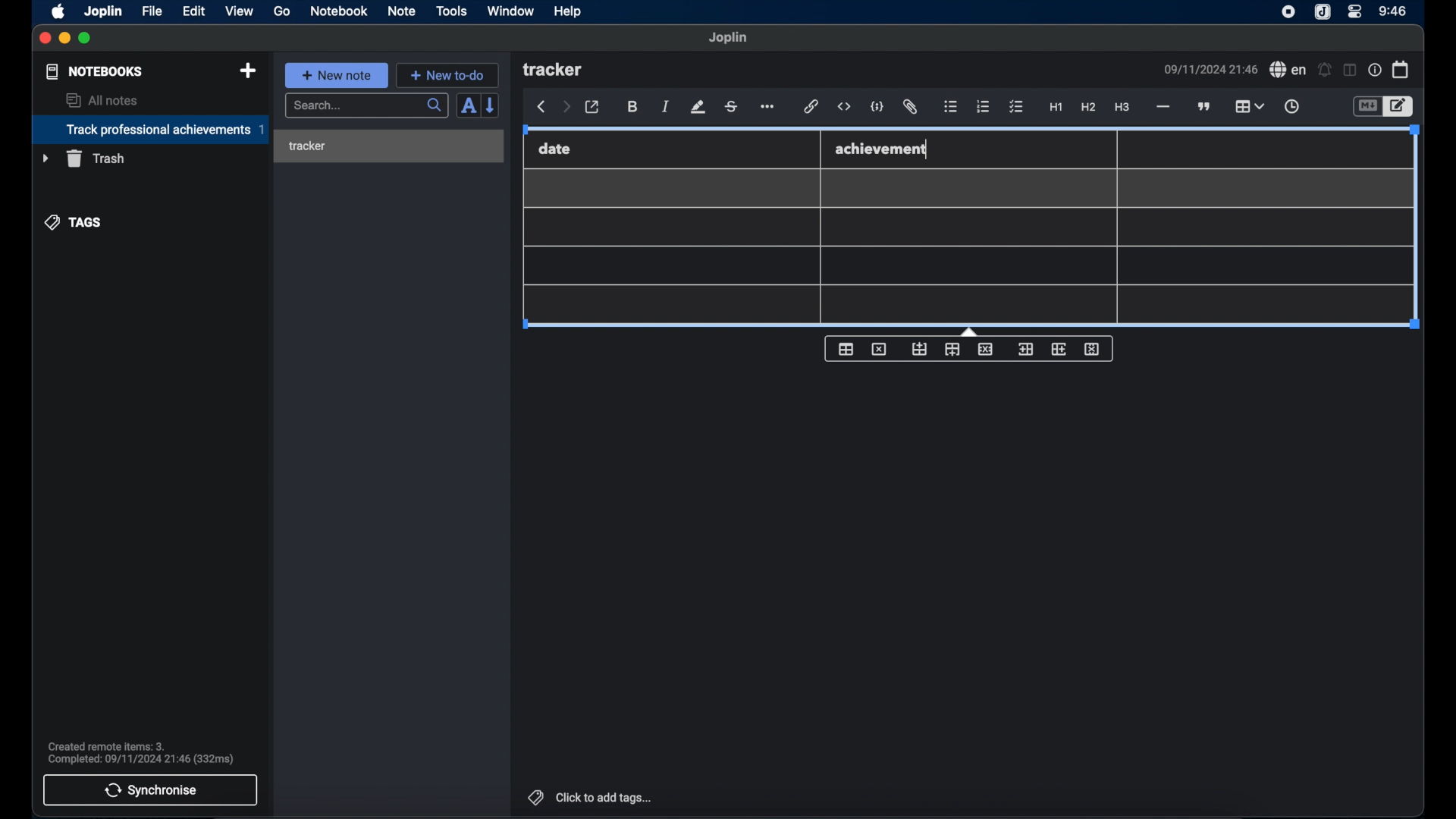 The height and width of the screenshot is (819, 1456). Describe the element at coordinates (769, 107) in the screenshot. I see `more options` at that location.